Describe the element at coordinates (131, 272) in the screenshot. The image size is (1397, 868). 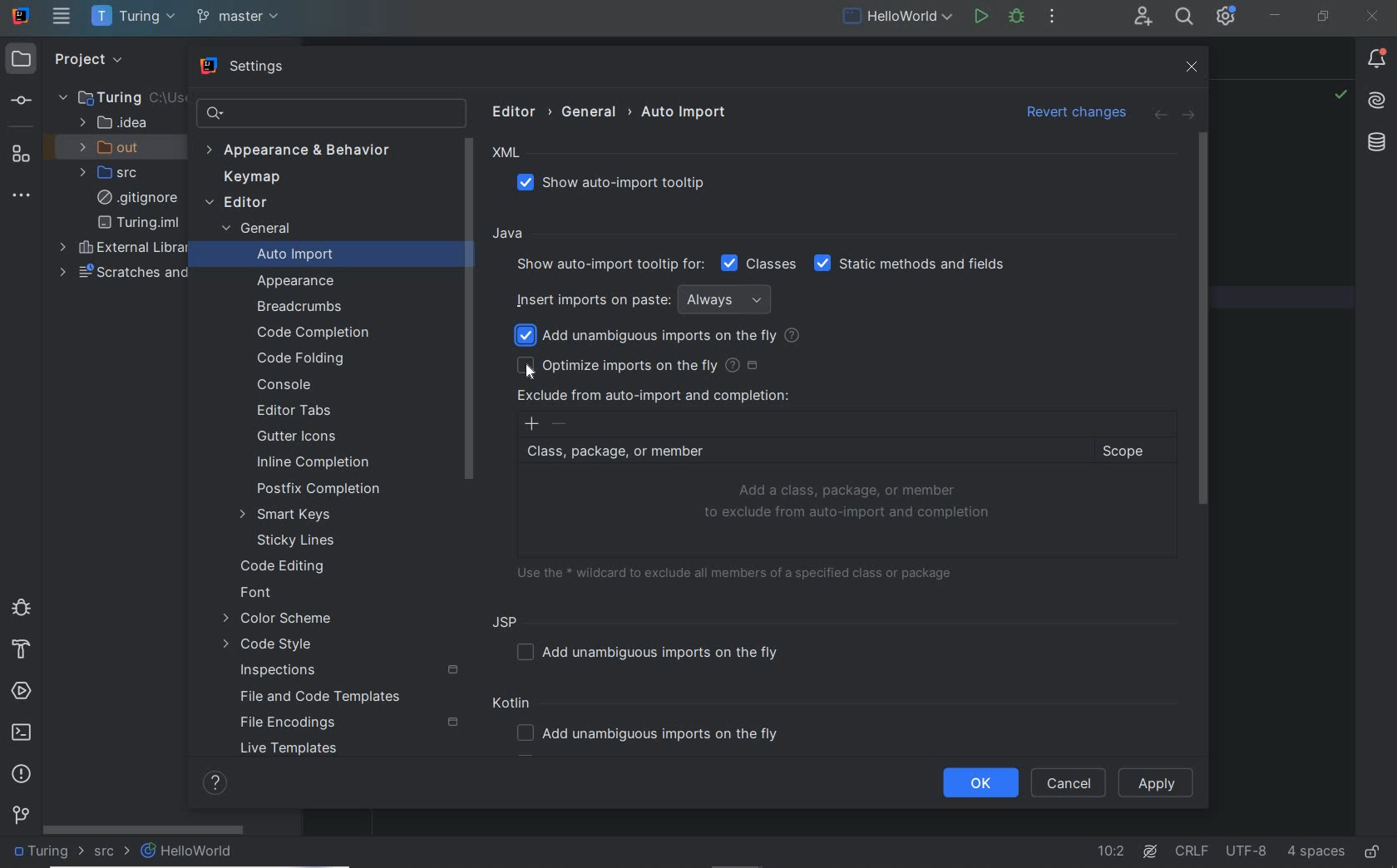
I see `scratches and consoles` at that location.